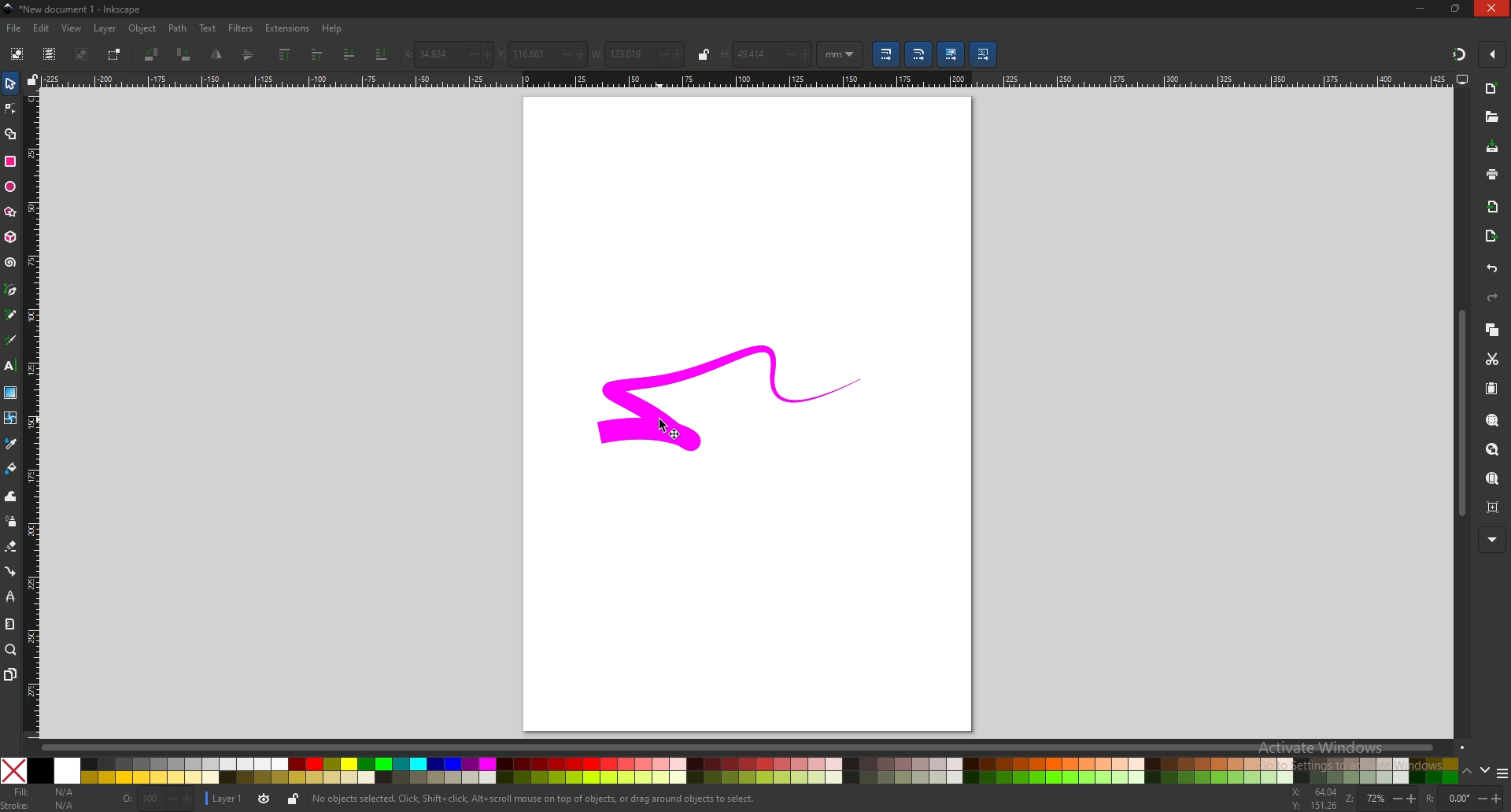 The height and width of the screenshot is (812, 1511). What do you see at coordinates (10, 623) in the screenshot?
I see `measure` at bounding box center [10, 623].